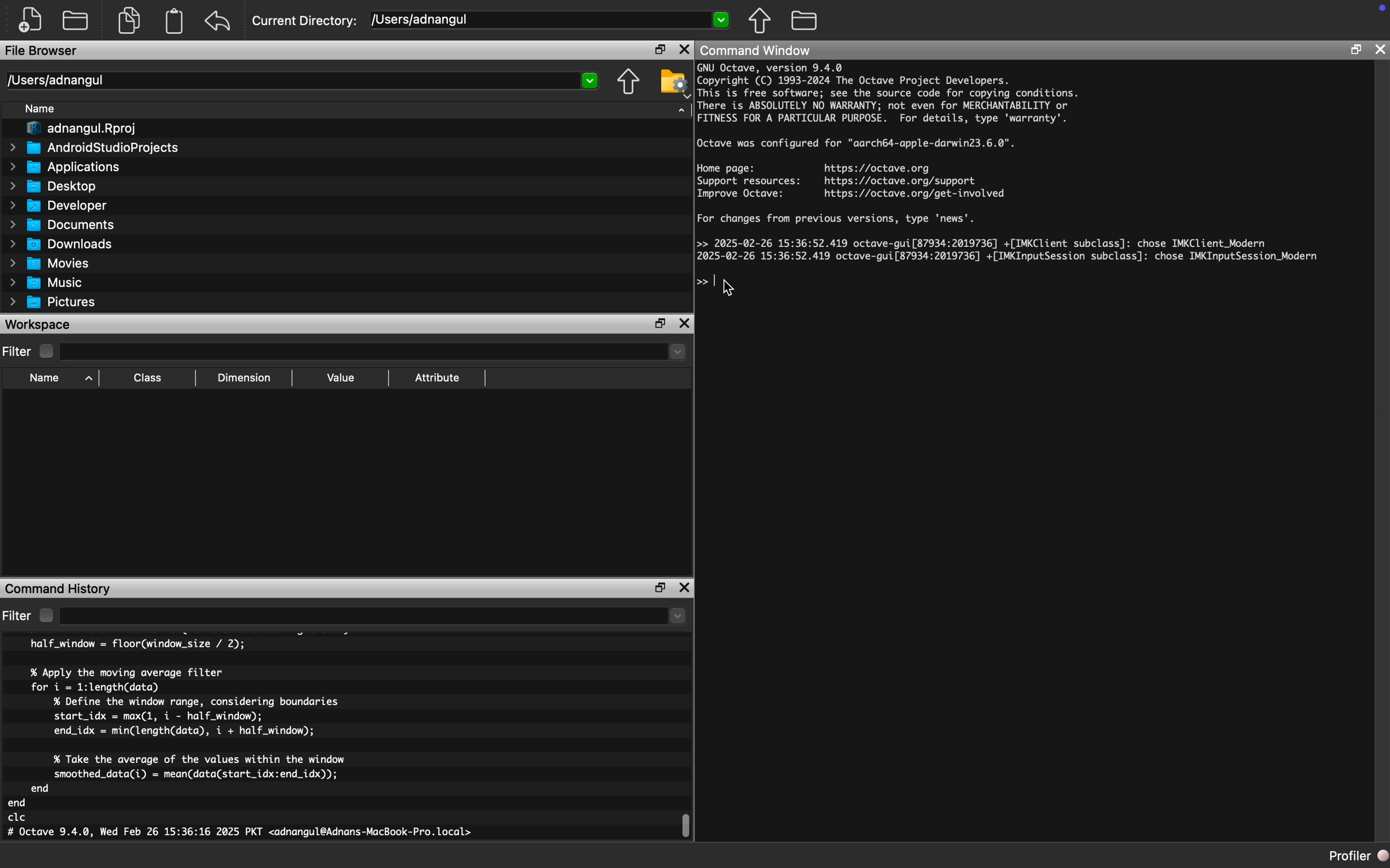 This screenshot has height=868, width=1390. What do you see at coordinates (57, 206) in the screenshot?
I see `Developer` at bounding box center [57, 206].